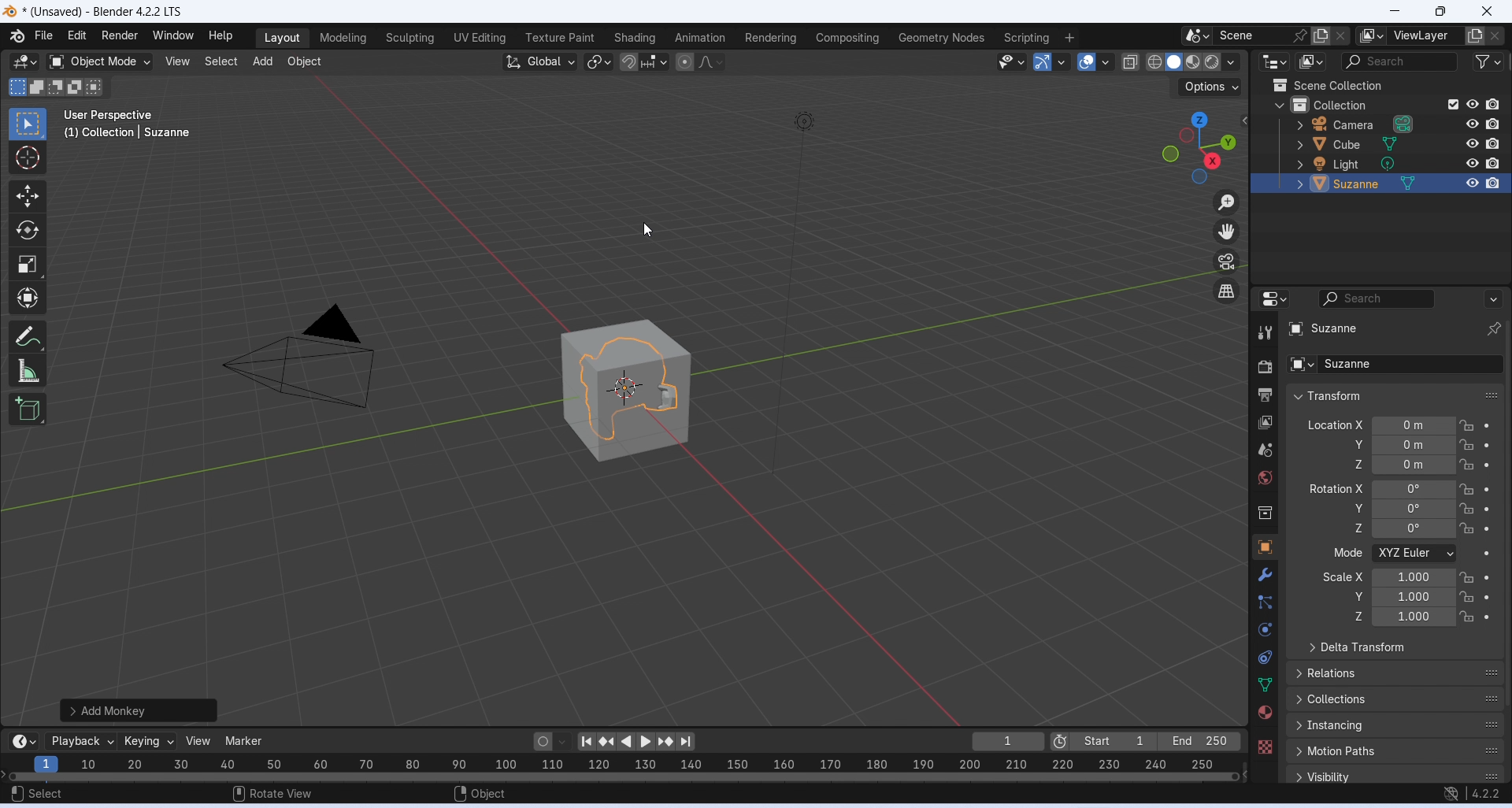 The height and width of the screenshot is (808, 1512). Describe the element at coordinates (1350, 595) in the screenshot. I see `y` at that location.